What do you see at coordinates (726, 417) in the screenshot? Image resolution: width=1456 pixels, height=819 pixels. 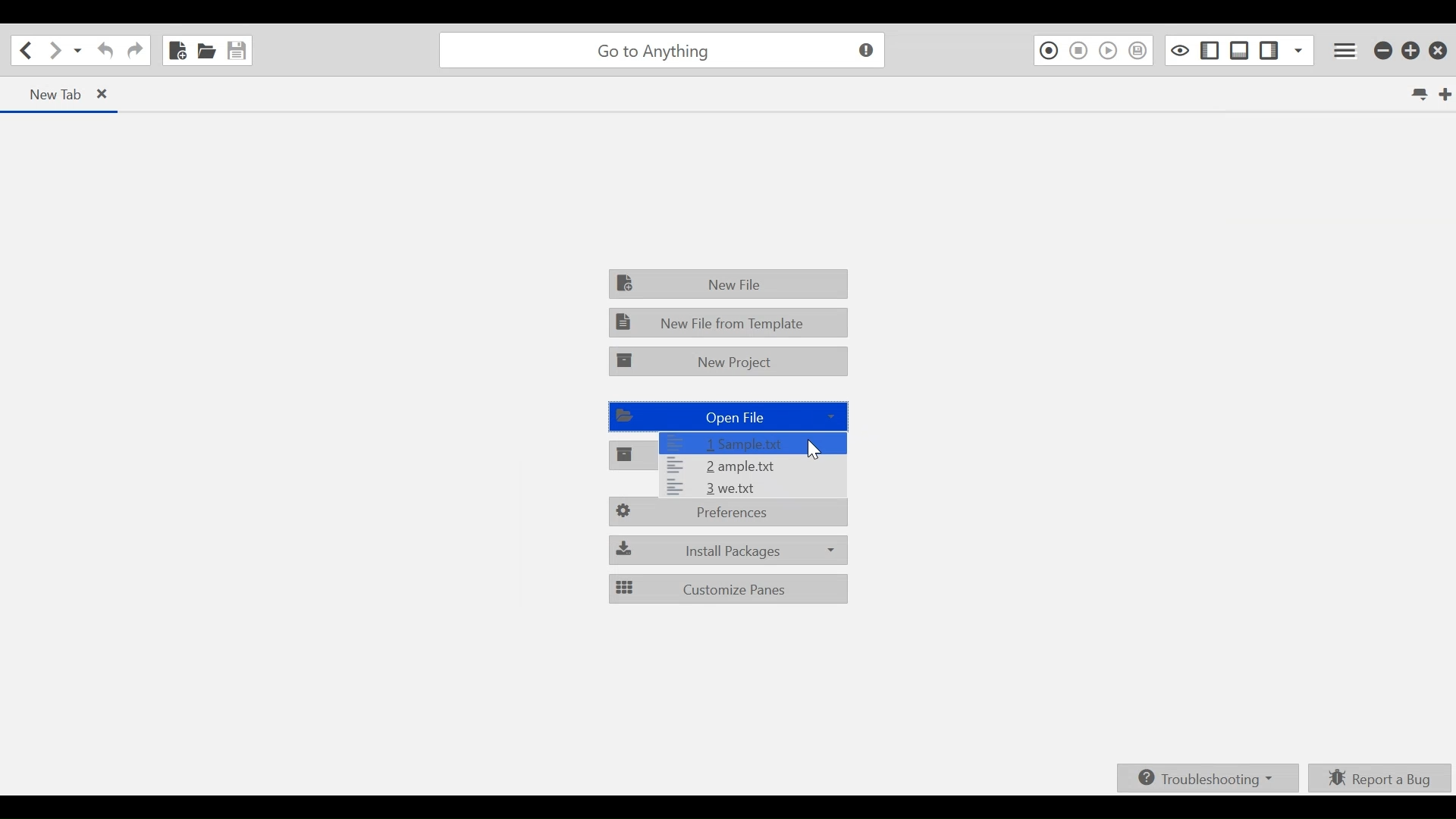 I see `Open File` at bounding box center [726, 417].